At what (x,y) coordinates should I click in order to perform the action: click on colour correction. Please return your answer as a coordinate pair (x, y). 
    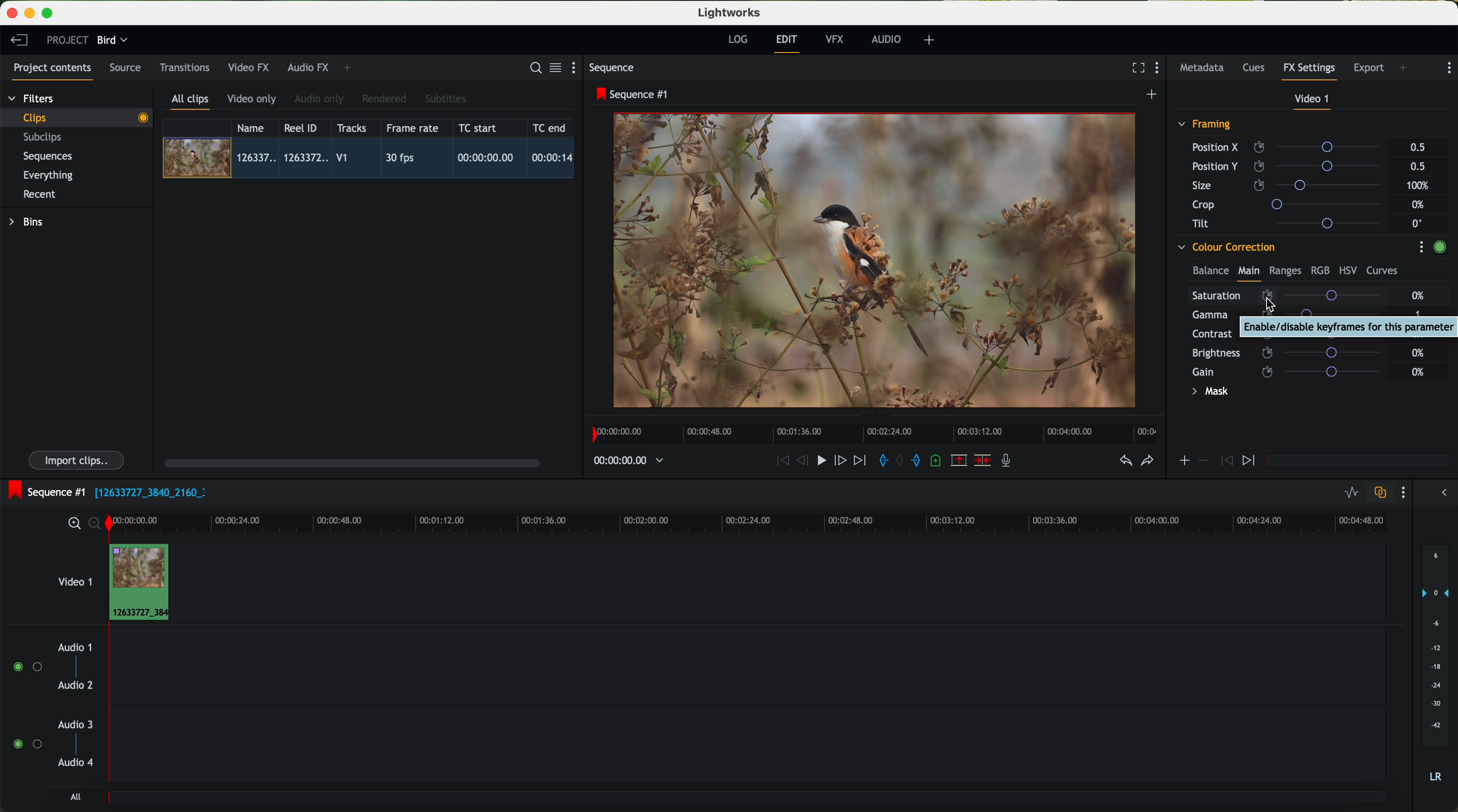
    Looking at the image, I should click on (1225, 247).